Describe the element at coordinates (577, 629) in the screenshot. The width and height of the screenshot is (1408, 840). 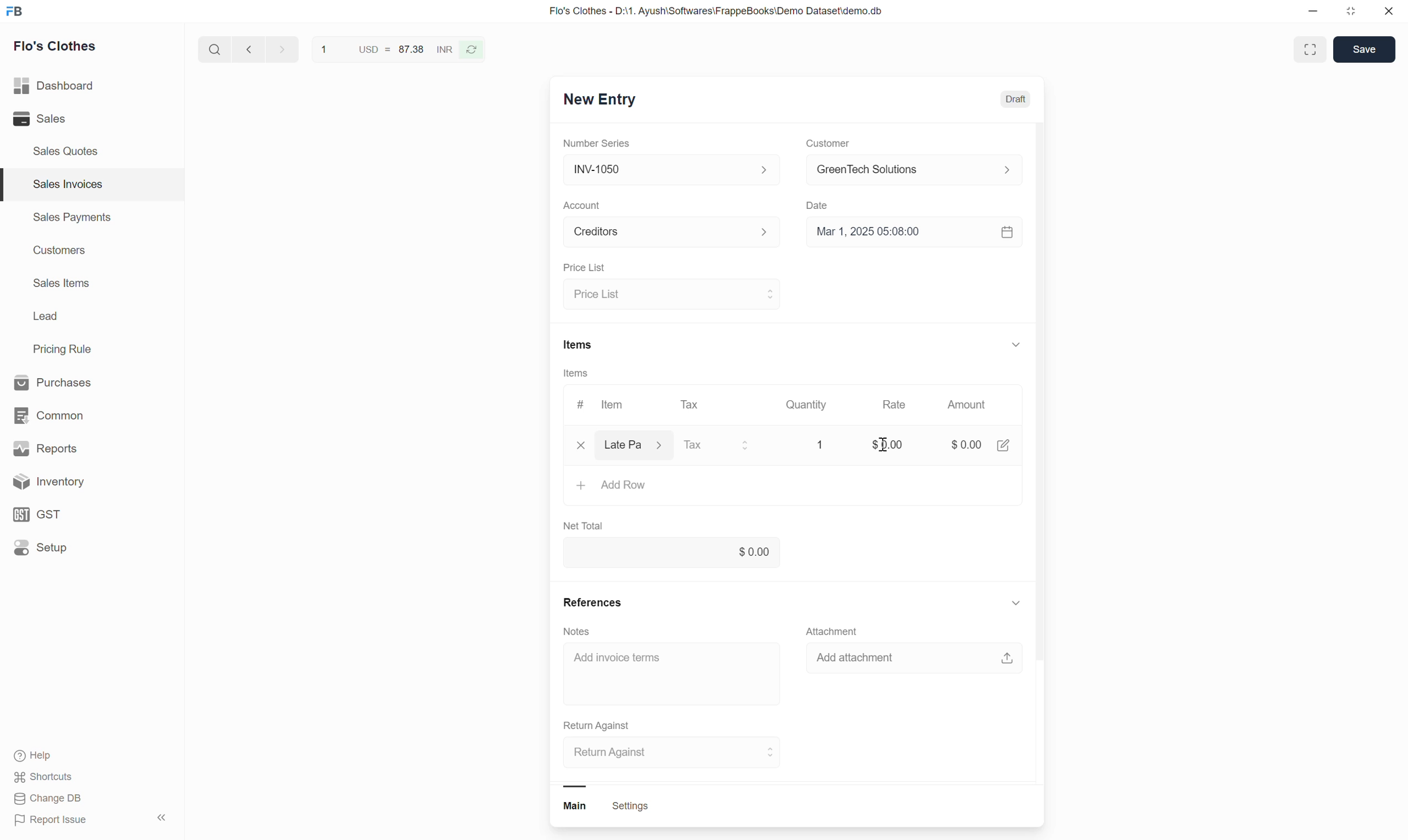
I see `Notes` at that location.